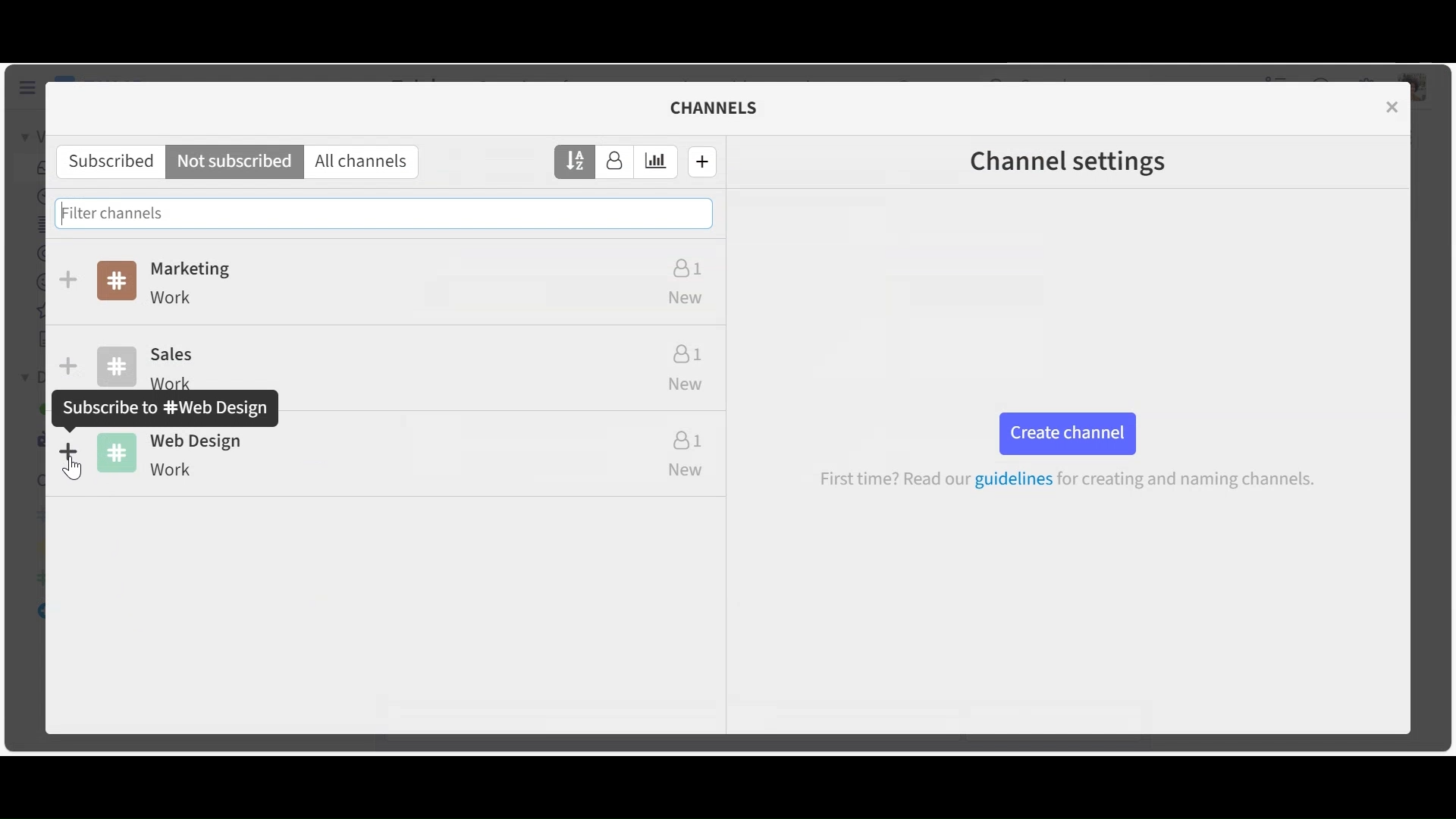 The image size is (1456, 819). Describe the element at coordinates (574, 161) in the screenshot. I see `Sort by name` at that location.